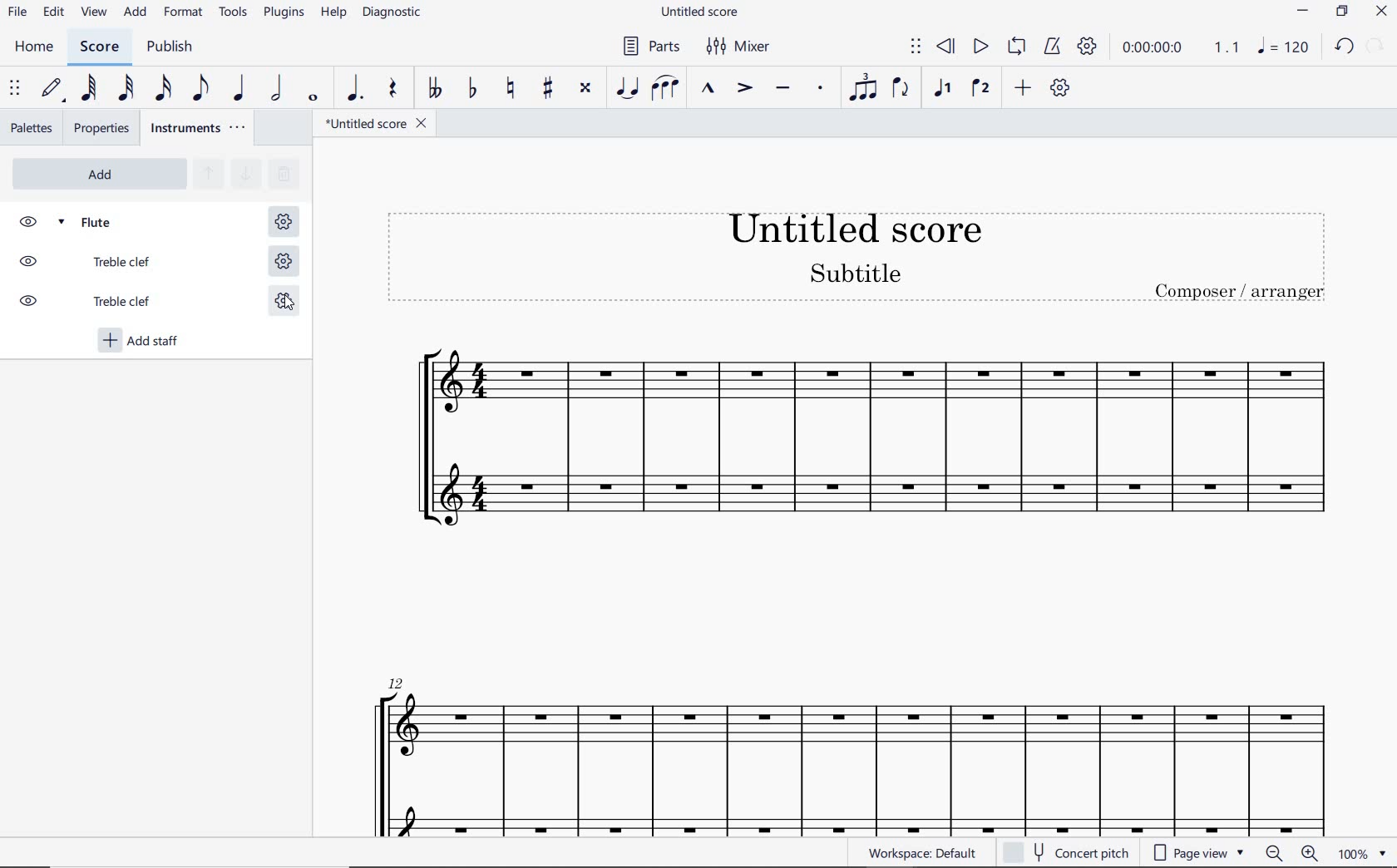 The height and width of the screenshot is (868, 1397). Describe the element at coordinates (201, 89) in the screenshot. I see `EIGHTH NOTE` at that location.